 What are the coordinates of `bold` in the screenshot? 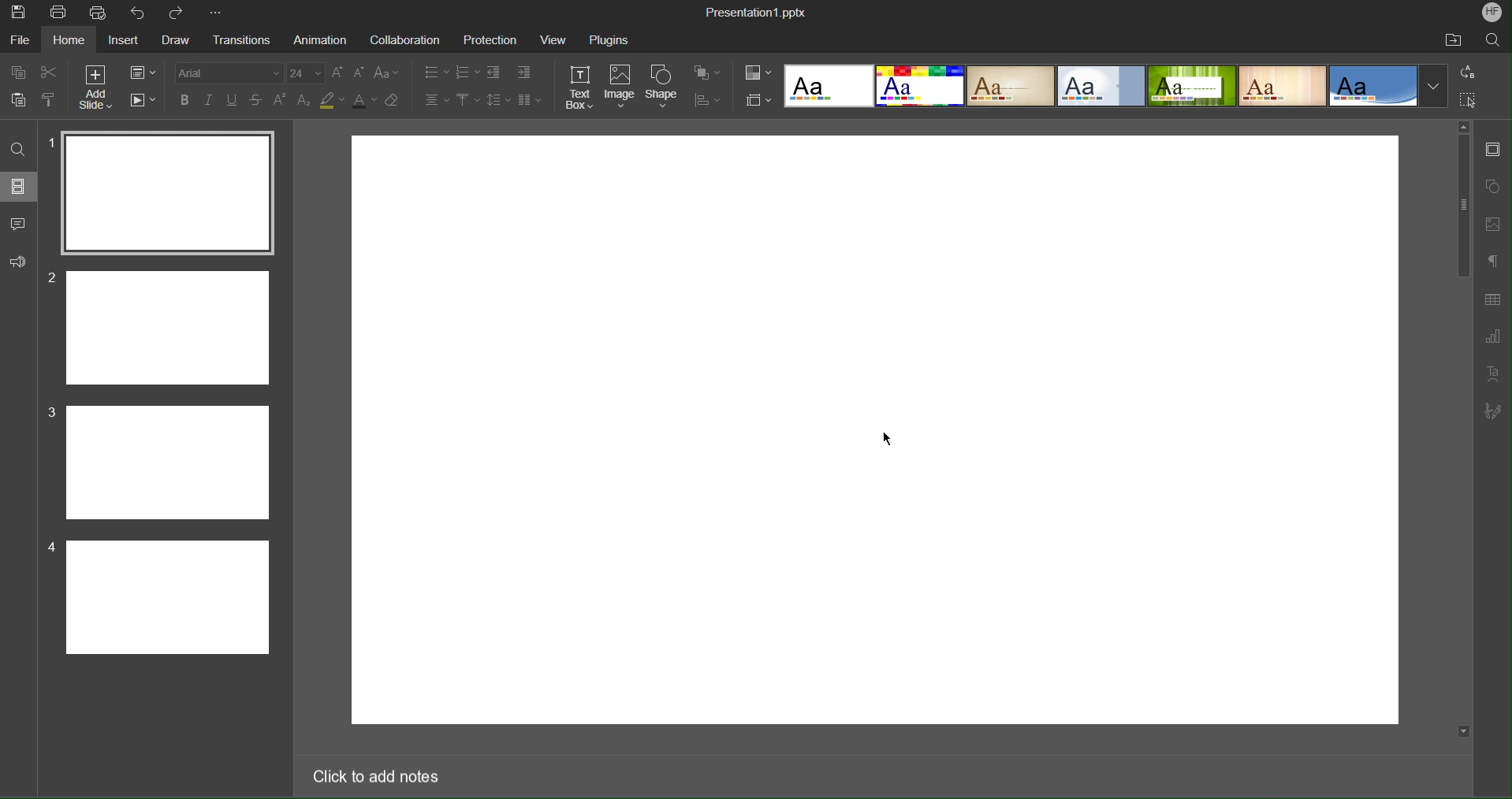 It's located at (182, 99).